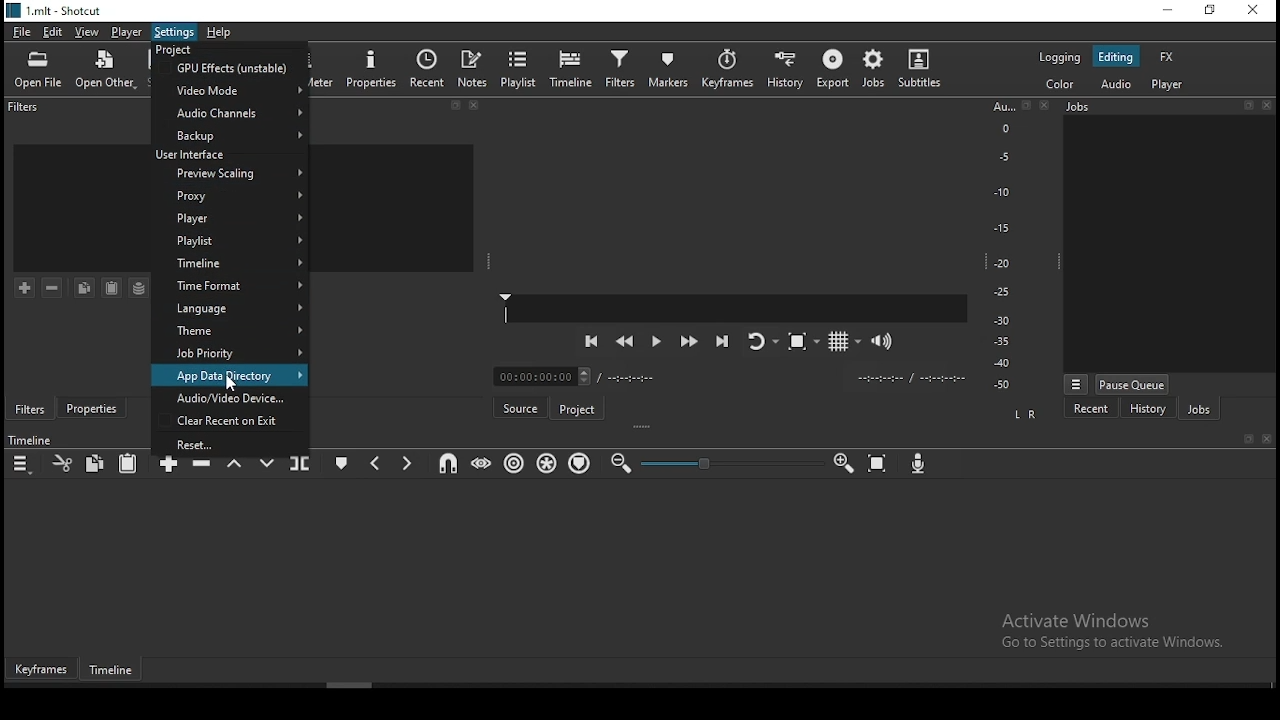  What do you see at coordinates (231, 218) in the screenshot?
I see `player` at bounding box center [231, 218].